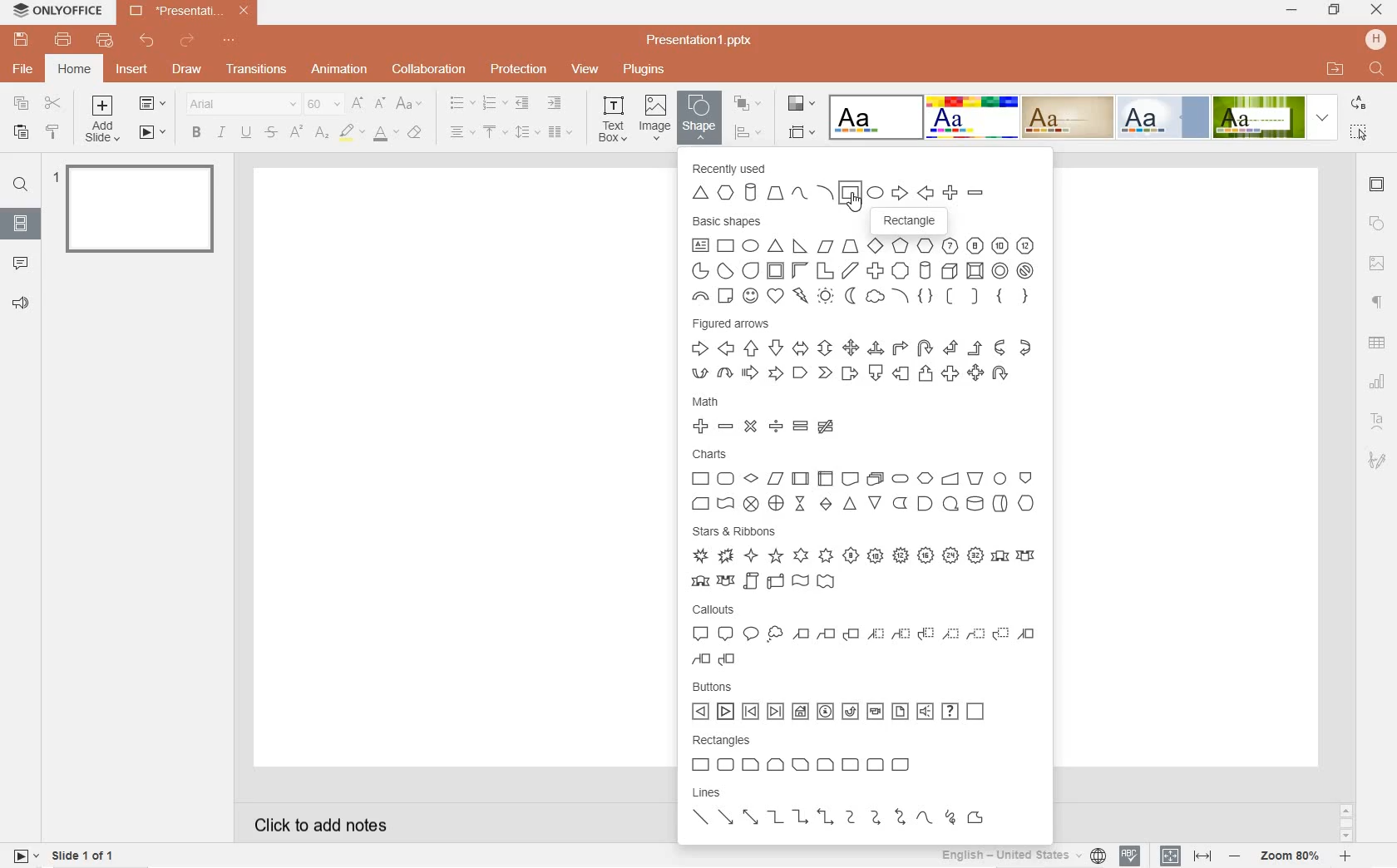 The image size is (1397, 868). I want to click on Plus, so click(950, 193).